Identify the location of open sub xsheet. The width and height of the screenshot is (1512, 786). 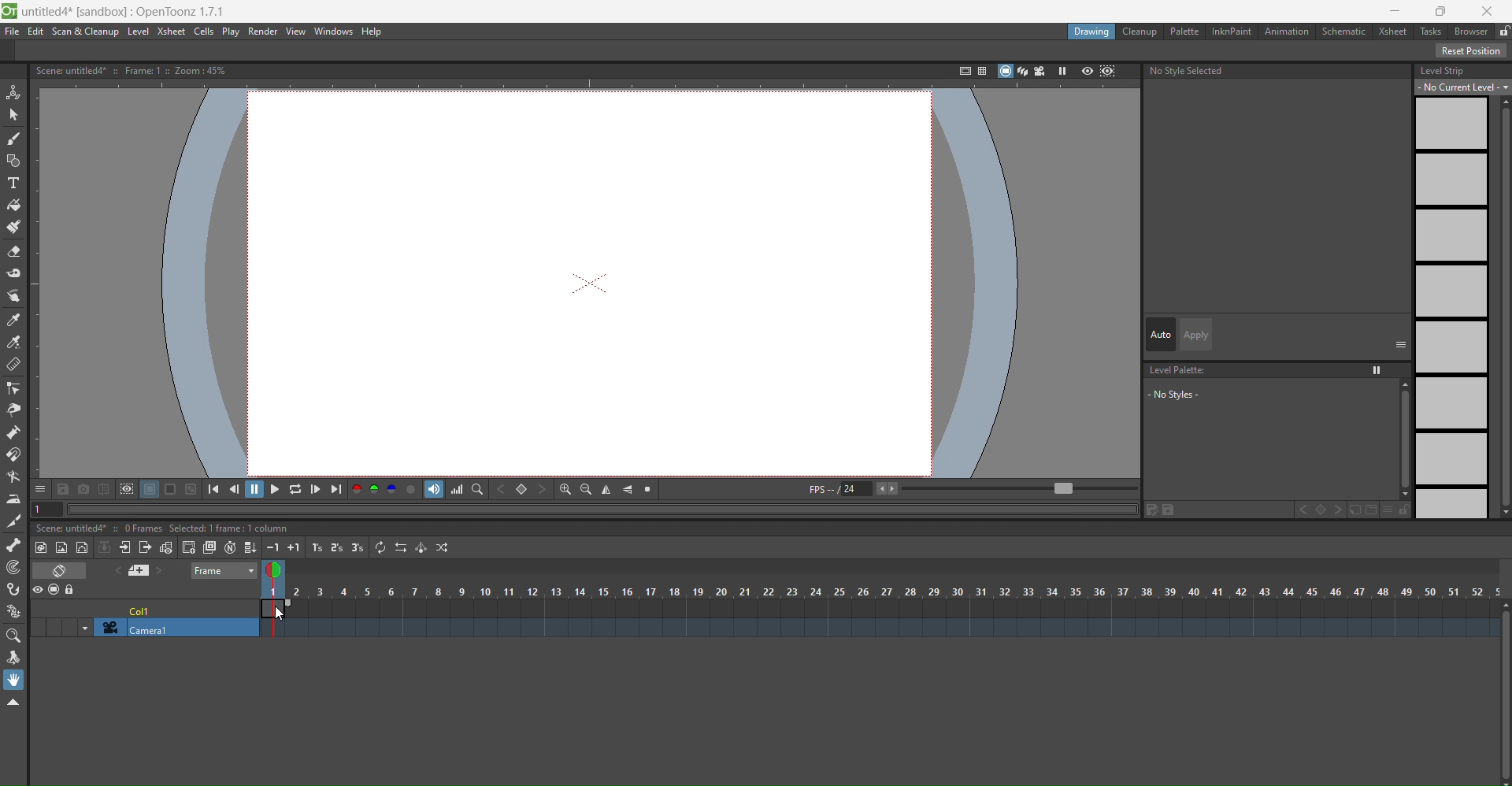
(124, 547).